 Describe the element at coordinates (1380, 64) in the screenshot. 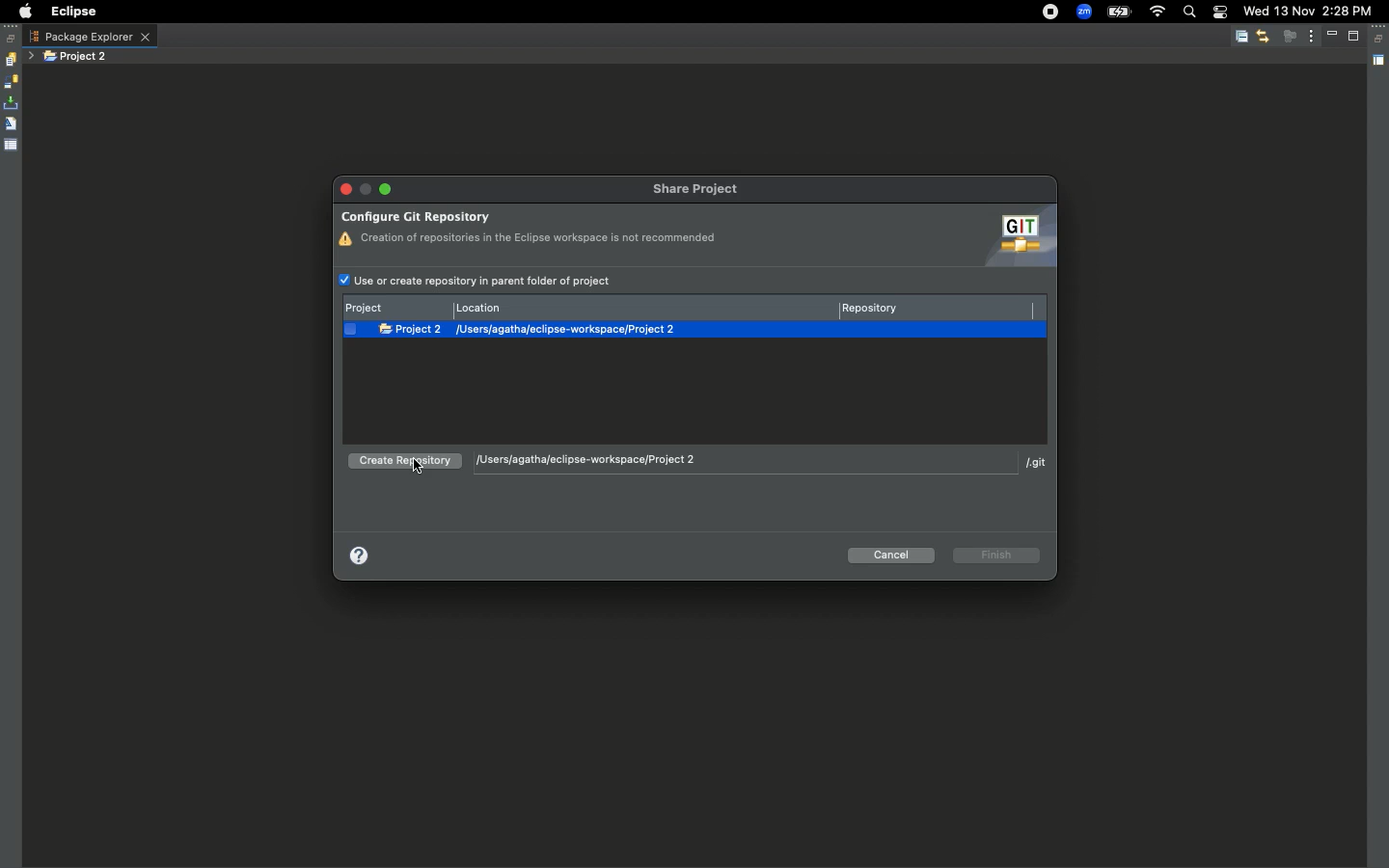

I see `Shared area` at that location.